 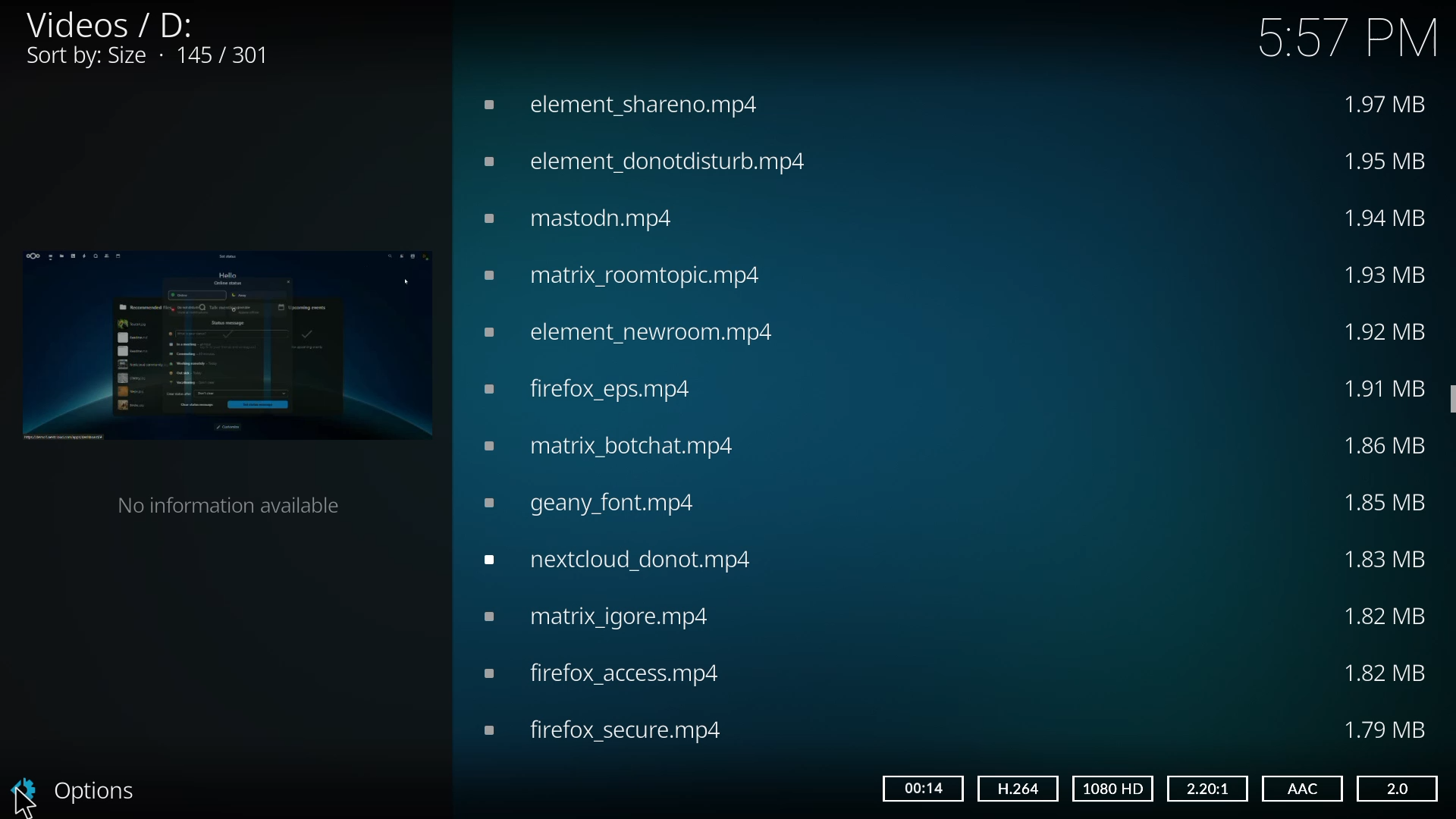 What do you see at coordinates (648, 160) in the screenshot?
I see `video` at bounding box center [648, 160].